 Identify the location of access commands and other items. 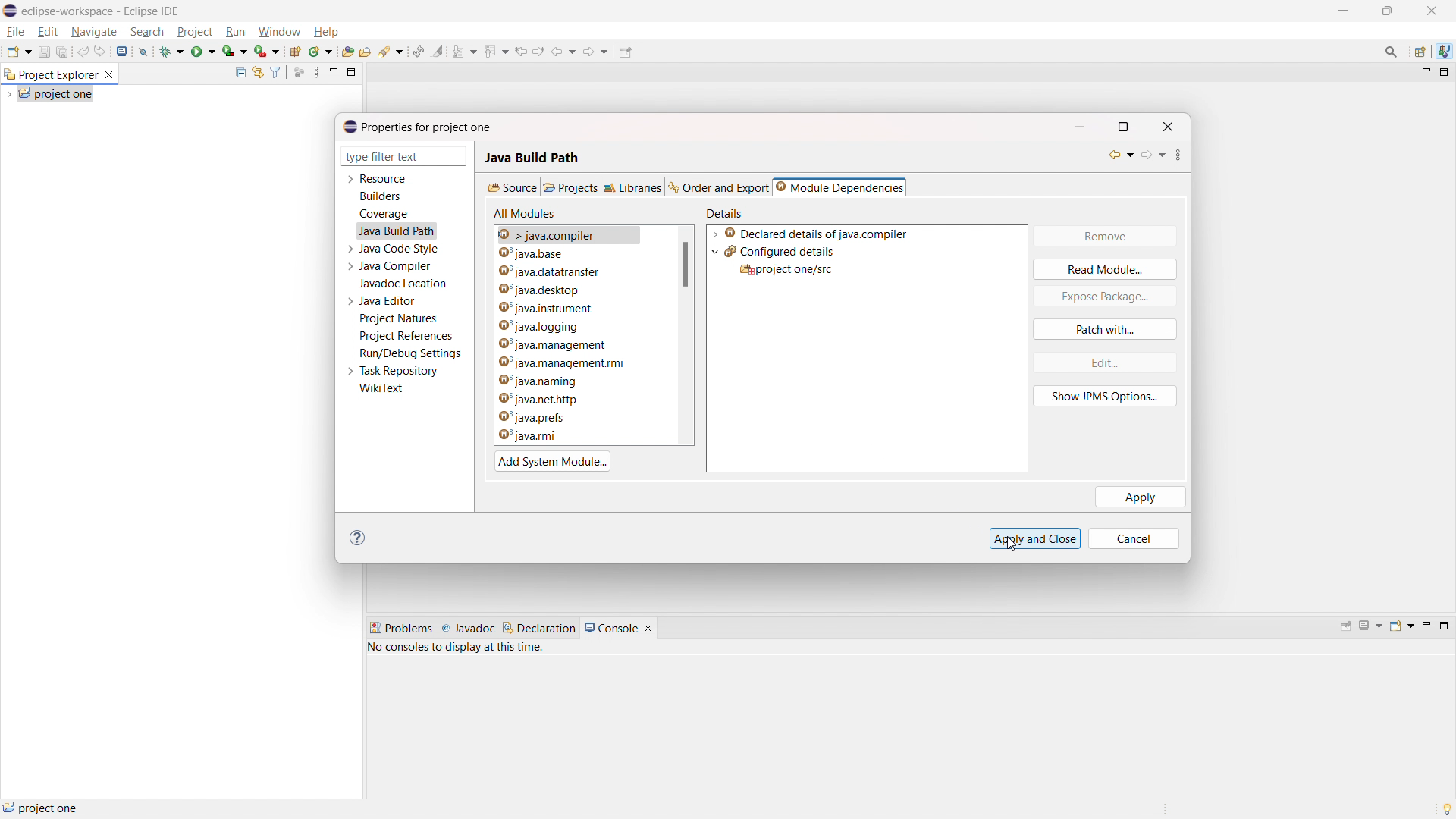
(1392, 51).